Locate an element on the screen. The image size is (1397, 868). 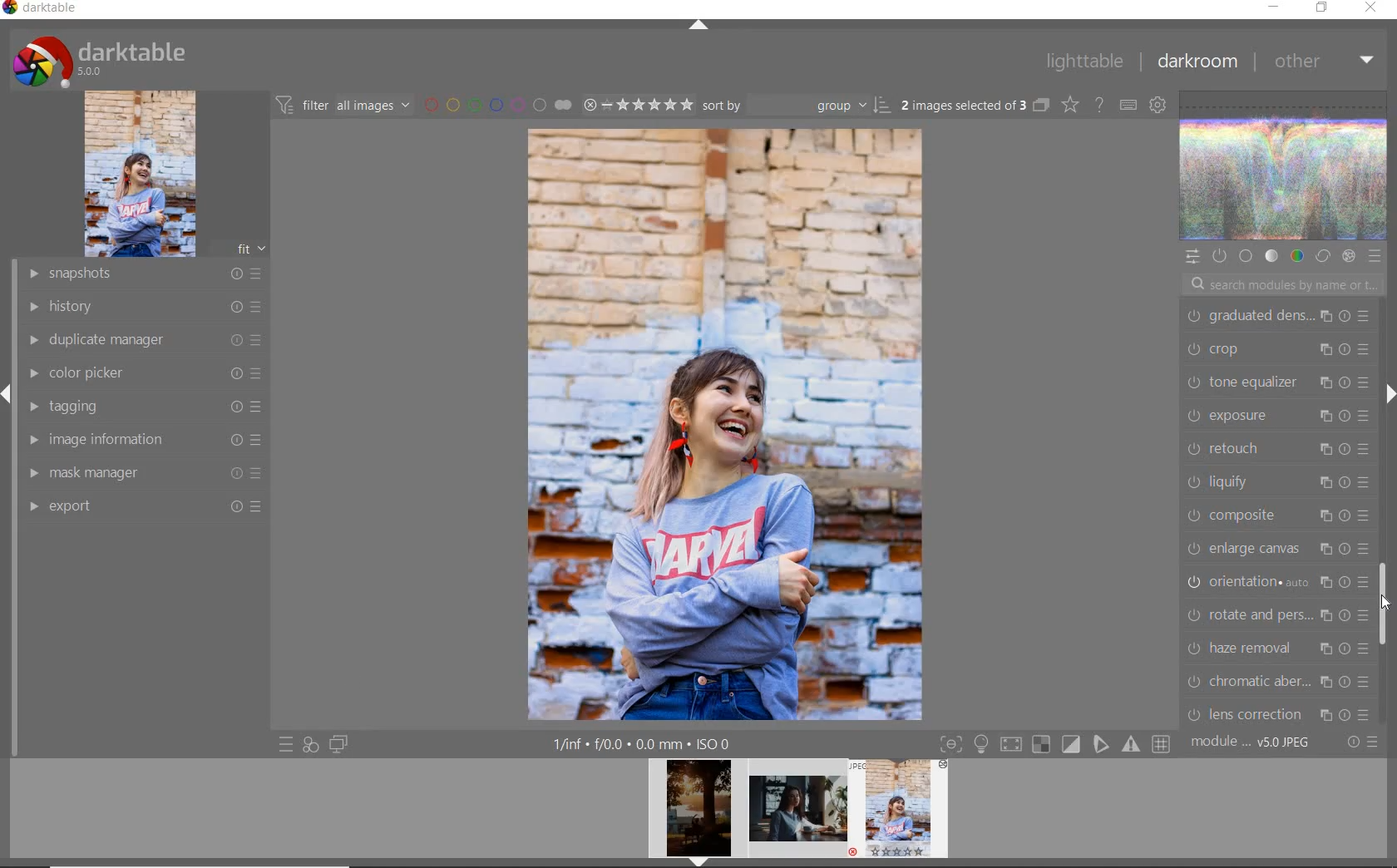
orientation is located at coordinates (1276, 584).